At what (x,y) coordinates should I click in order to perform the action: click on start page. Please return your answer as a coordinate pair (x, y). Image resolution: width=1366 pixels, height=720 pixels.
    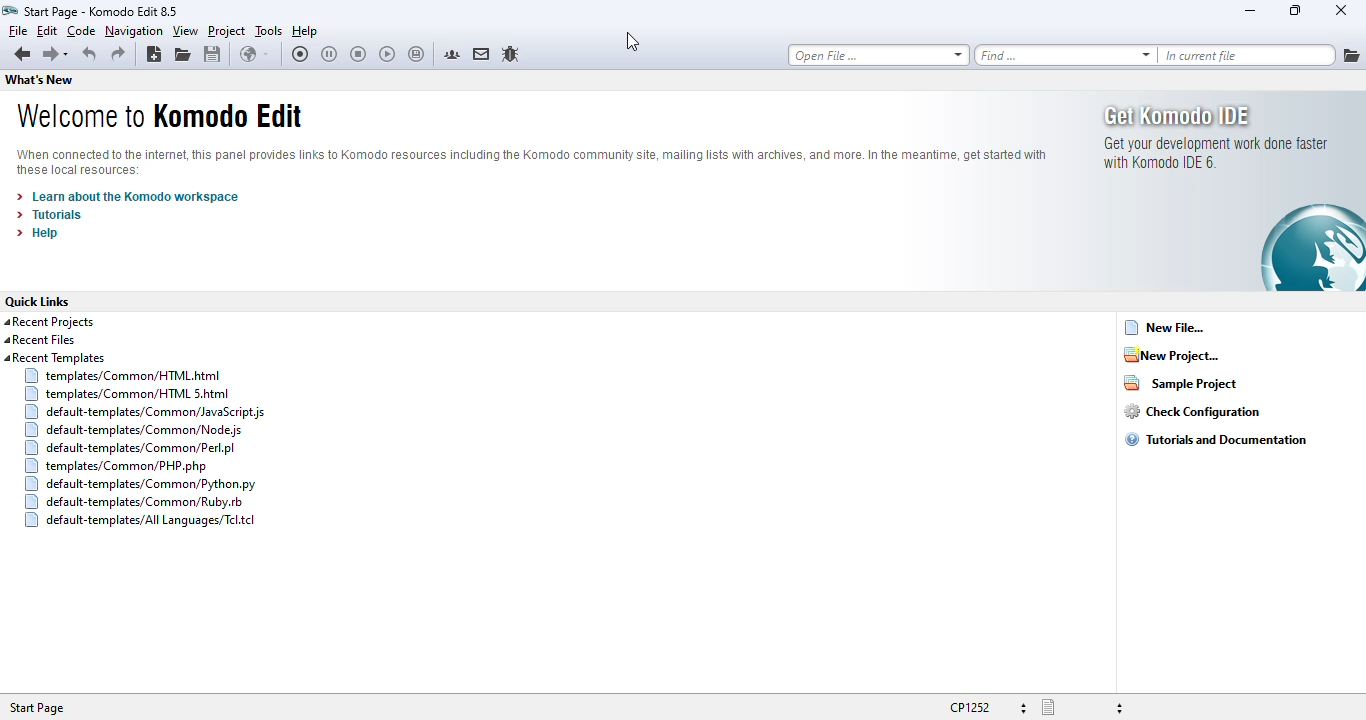
    Looking at the image, I should click on (36, 708).